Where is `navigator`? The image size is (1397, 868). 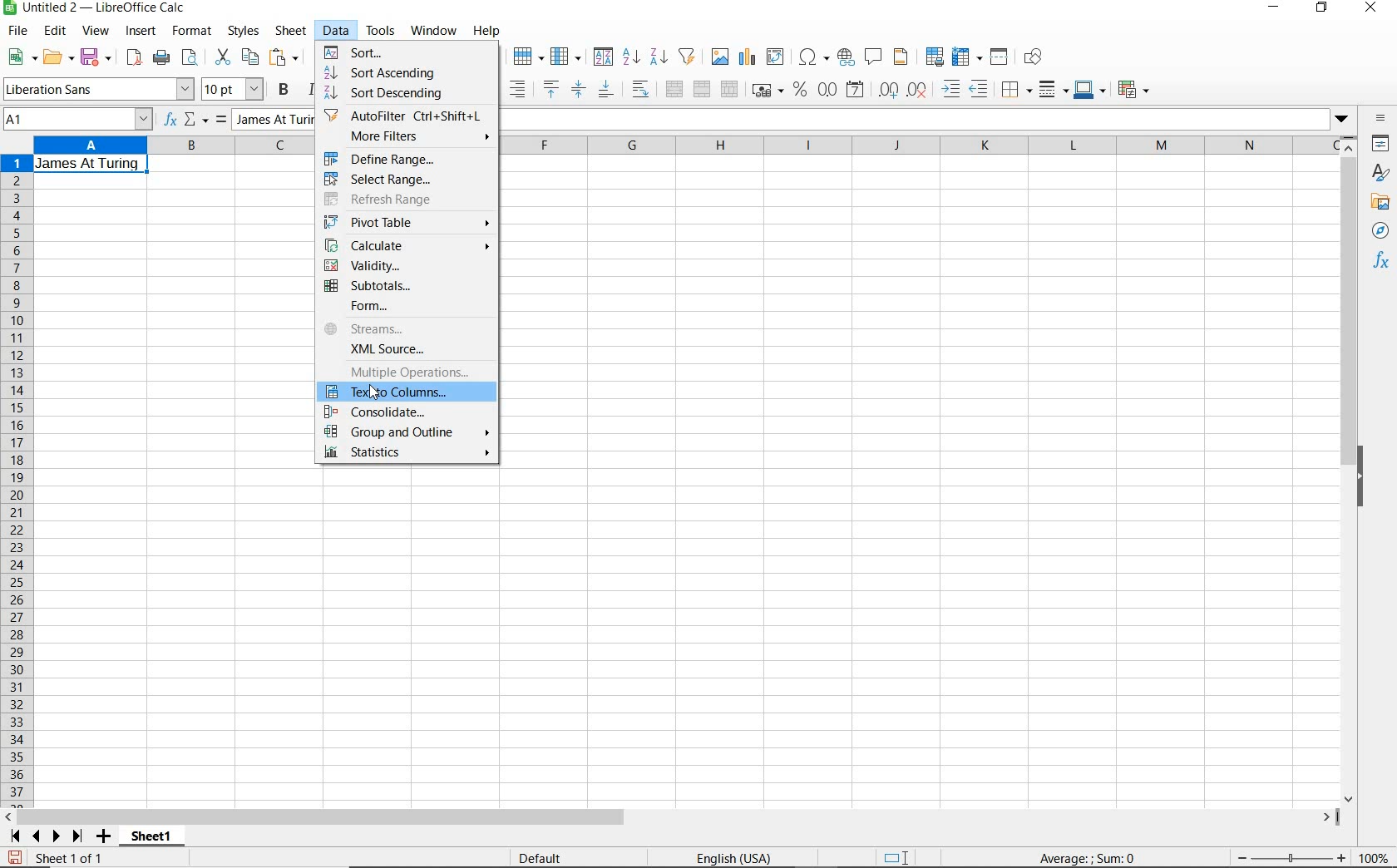
navigator is located at coordinates (1381, 230).